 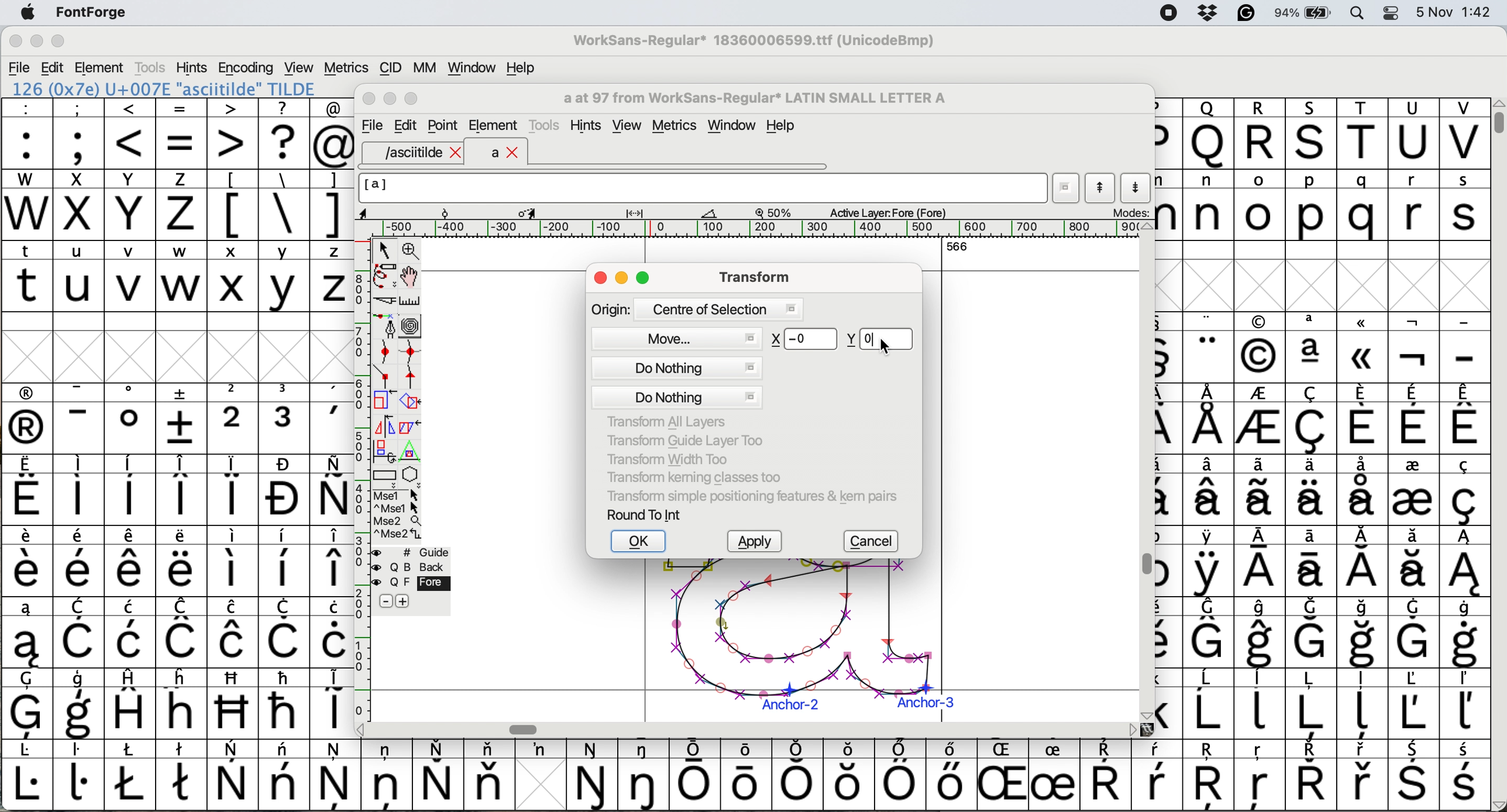 I want to click on element, so click(x=101, y=67).